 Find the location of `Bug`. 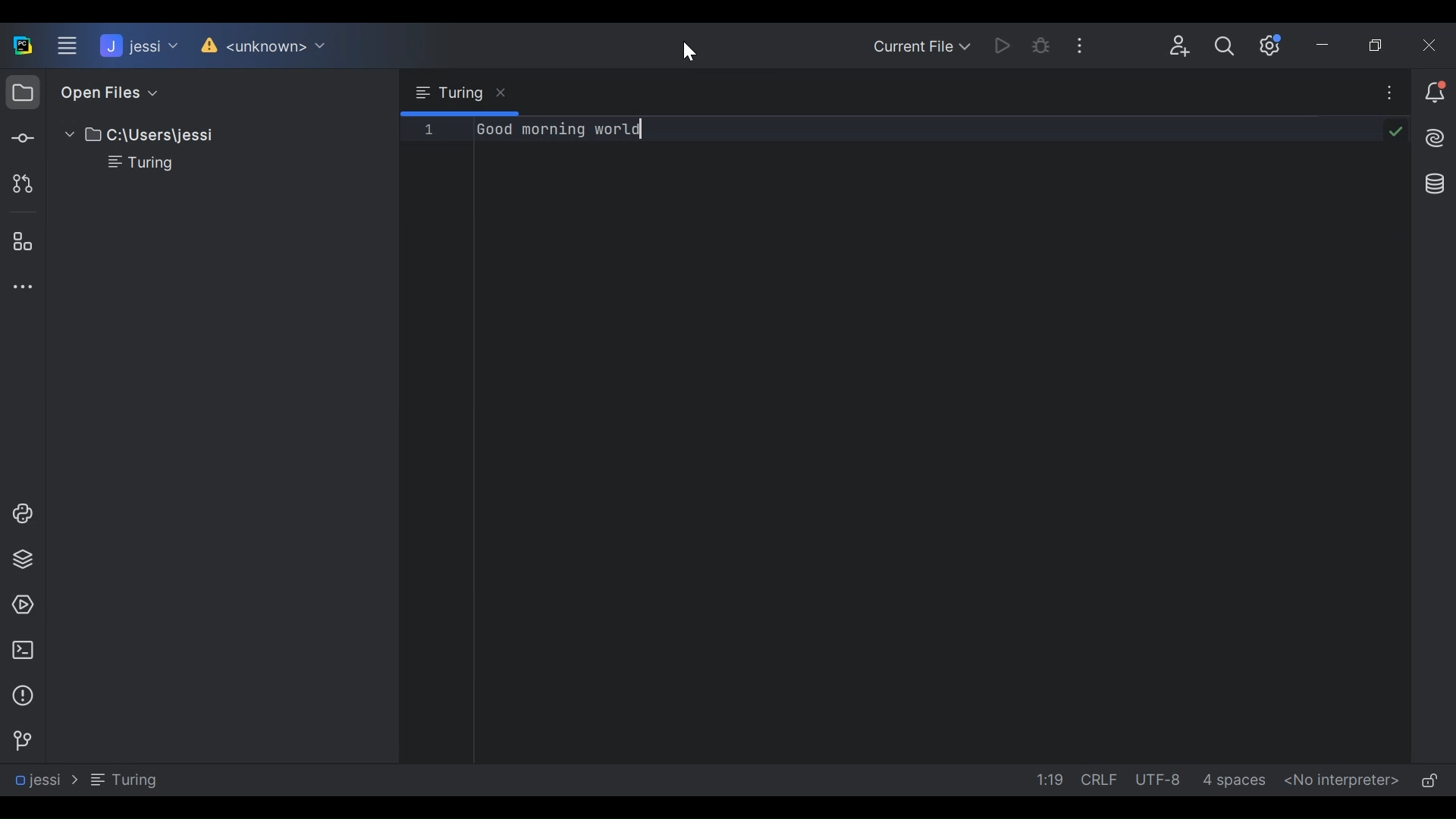

Bug is located at coordinates (1042, 44).